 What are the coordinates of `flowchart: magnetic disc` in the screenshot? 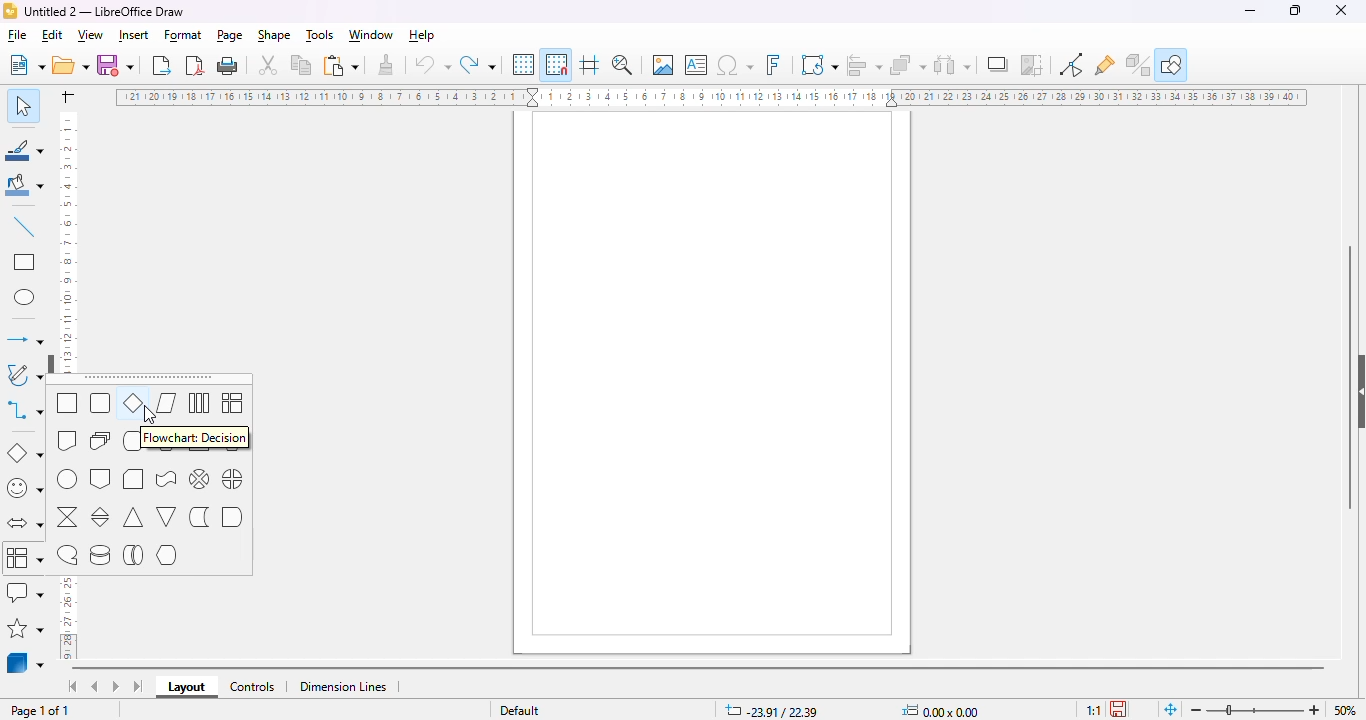 It's located at (100, 556).